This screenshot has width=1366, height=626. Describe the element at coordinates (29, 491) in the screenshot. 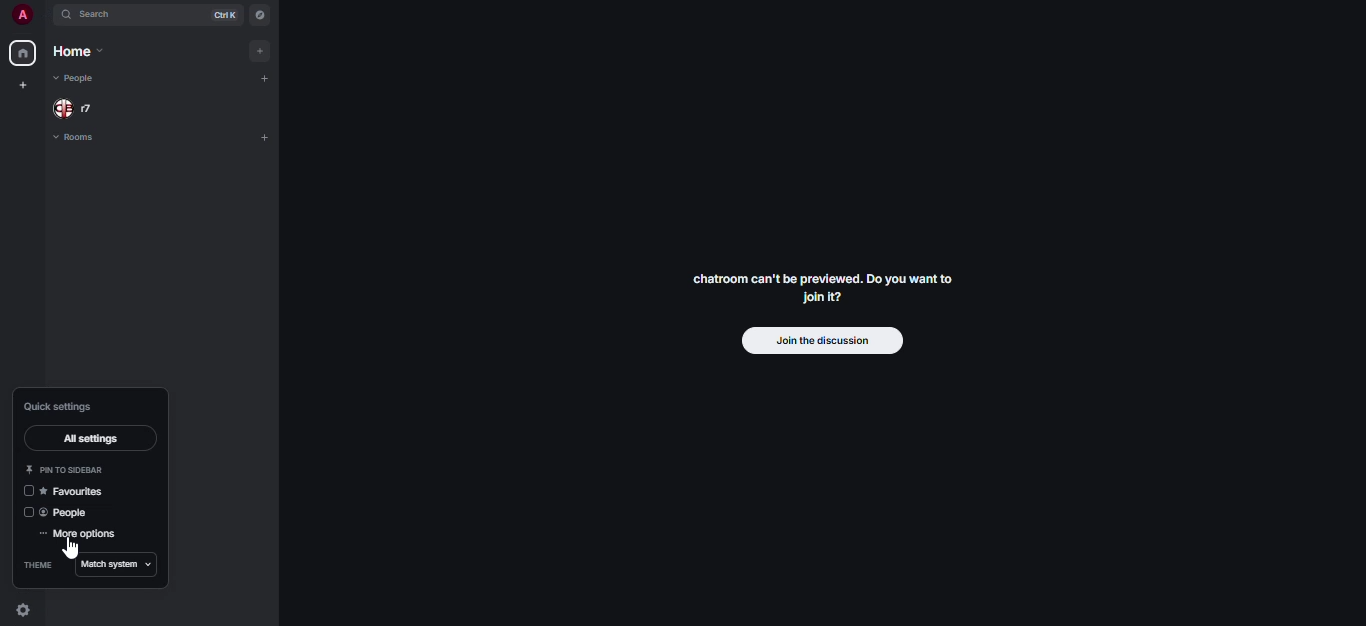

I see `click to enable` at that location.